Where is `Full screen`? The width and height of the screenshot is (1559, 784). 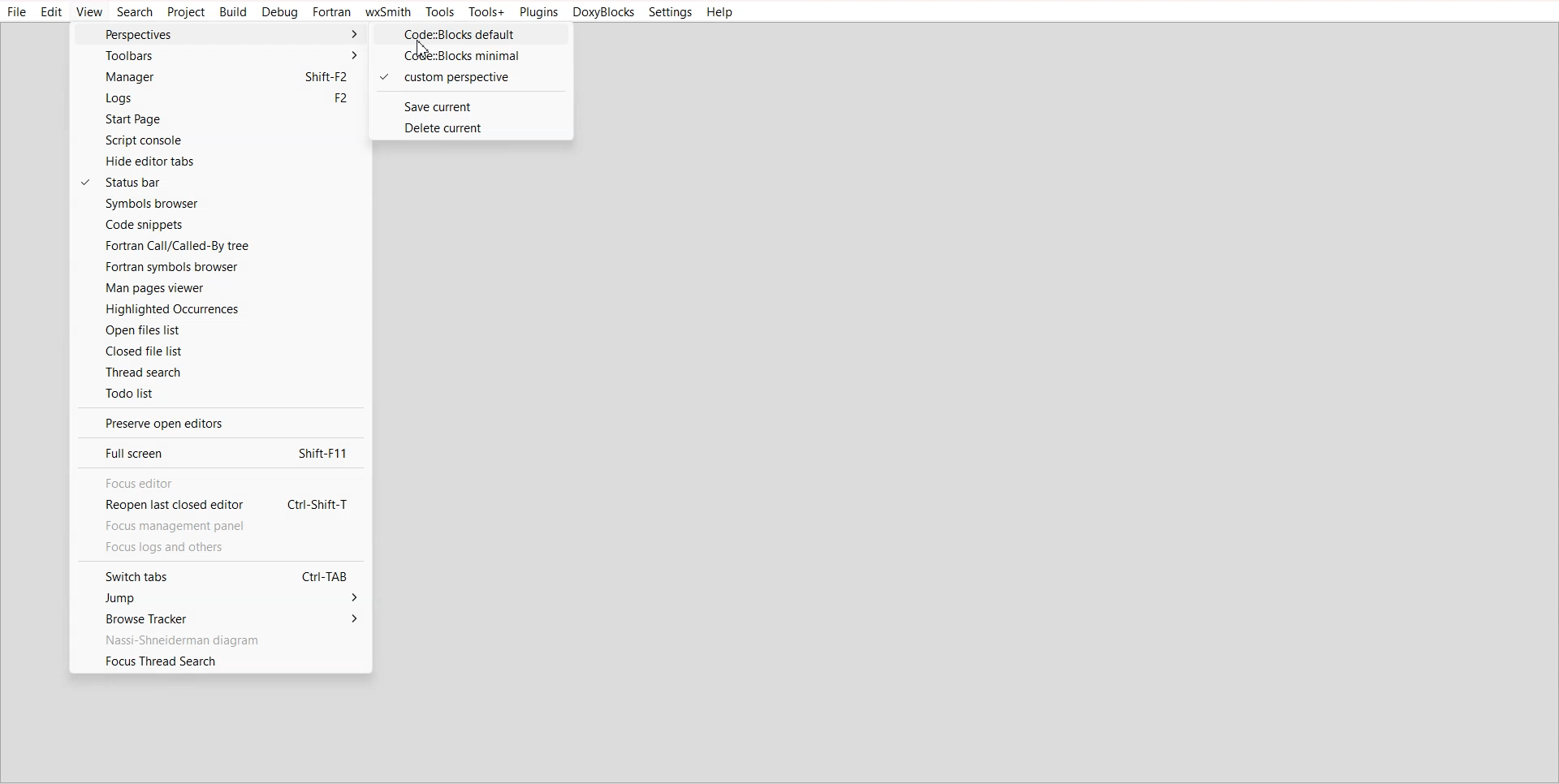 Full screen is located at coordinates (216, 452).